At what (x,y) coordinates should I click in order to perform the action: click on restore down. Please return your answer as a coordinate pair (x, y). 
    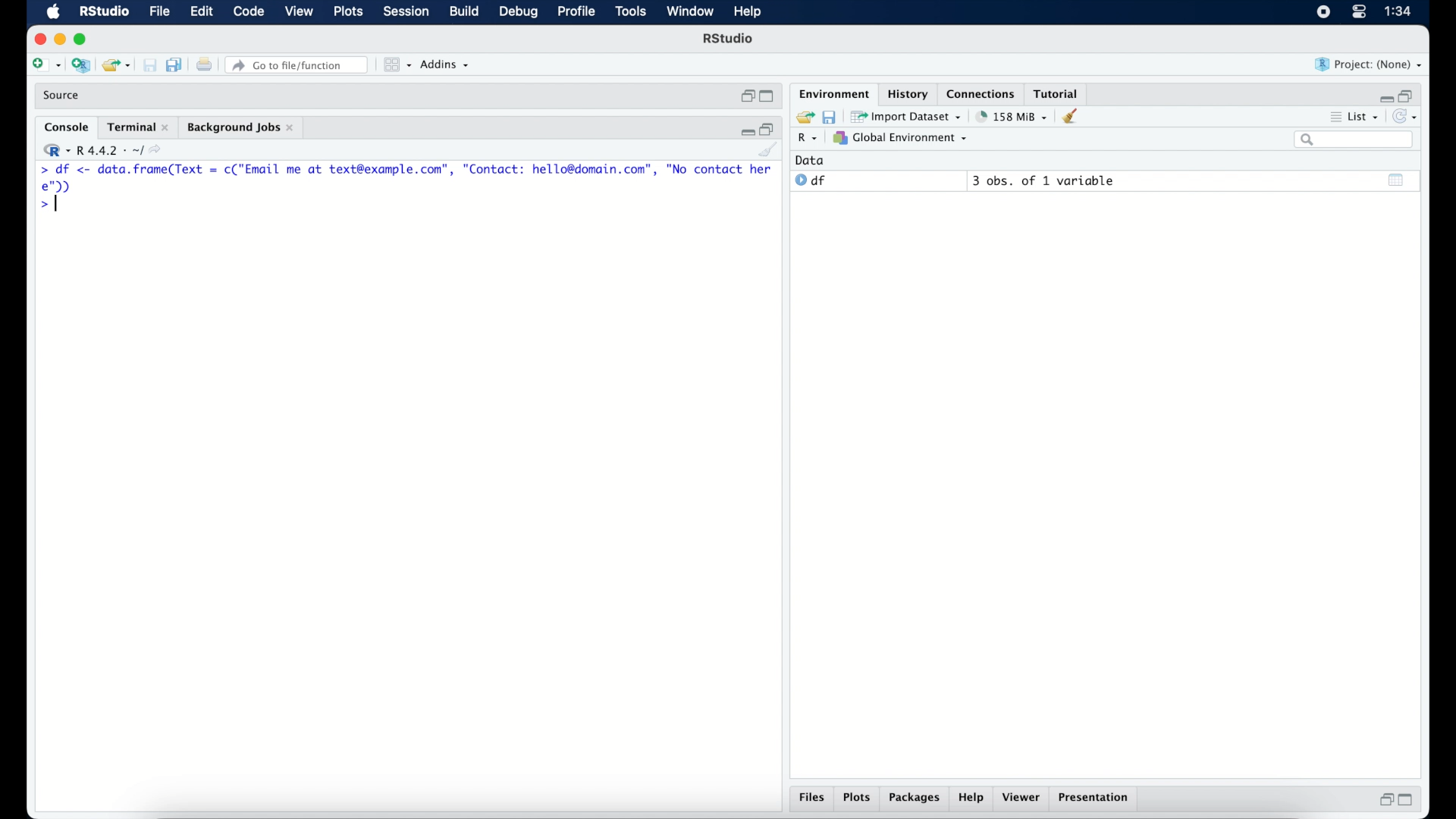
    Looking at the image, I should click on (745, 96).